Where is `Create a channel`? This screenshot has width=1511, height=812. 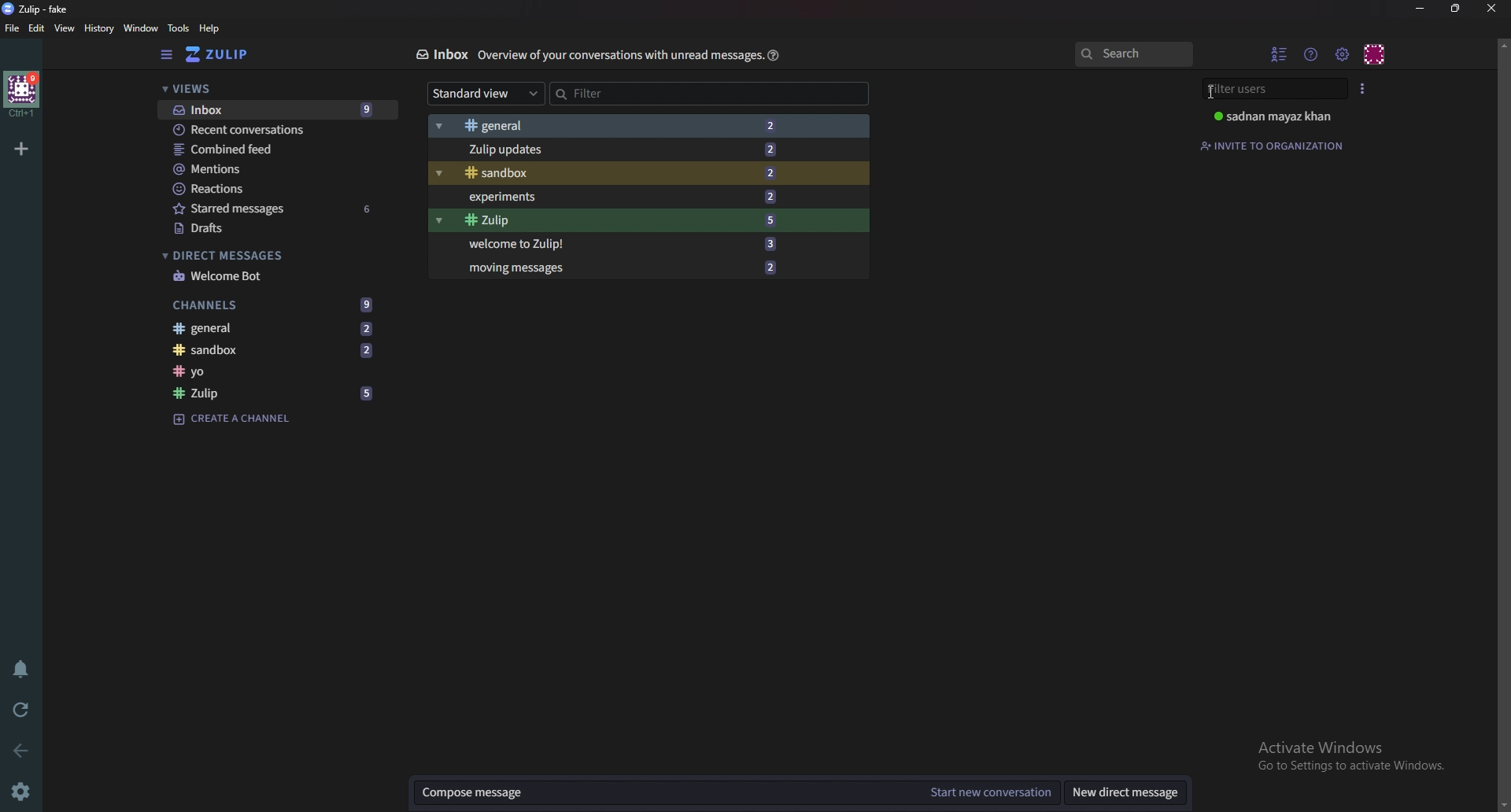
Create a channel is located at coordinates (233, 420).